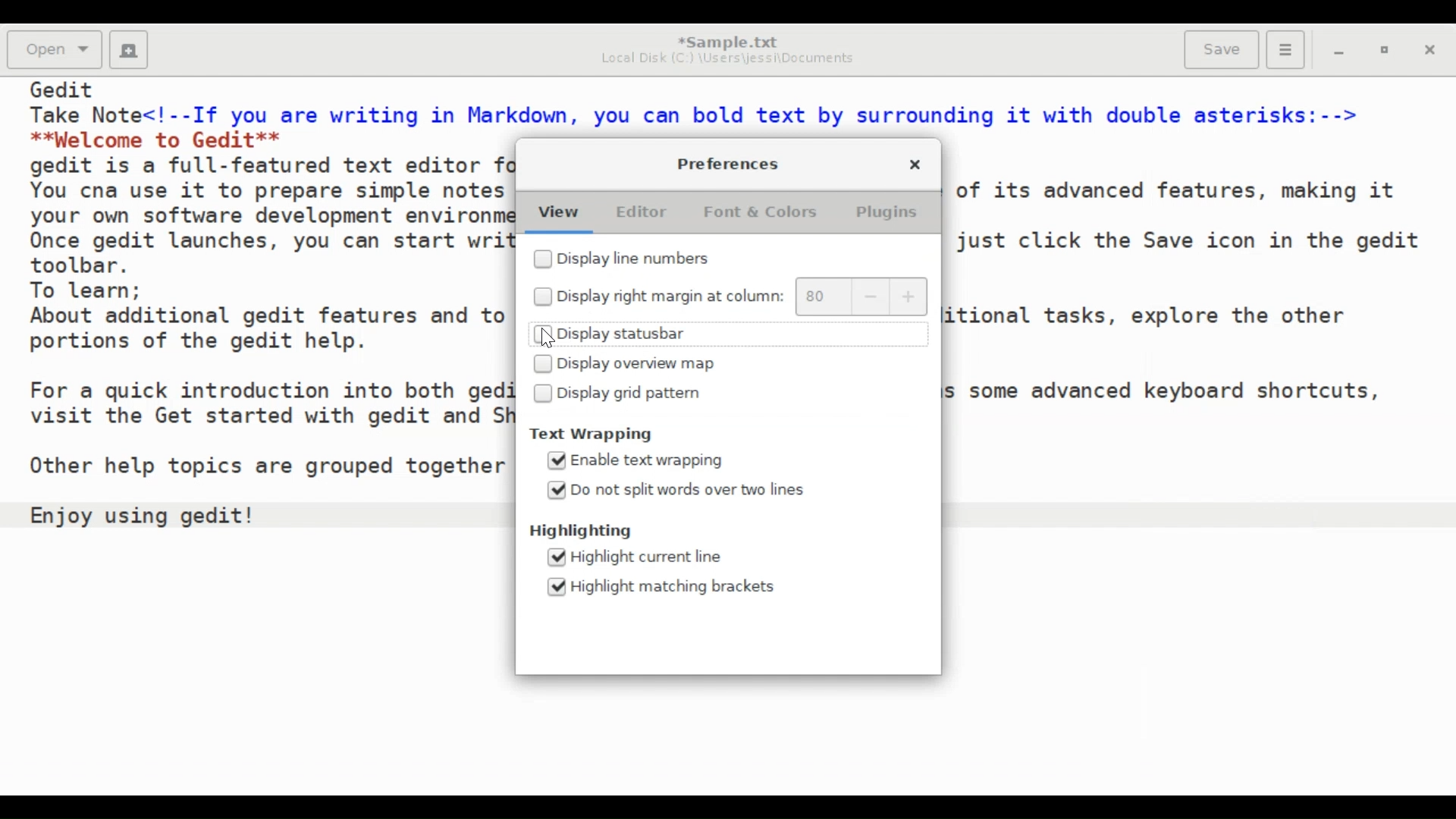 This screenshot has width=1456, height=819. What do you see at coordinates (762, 211) in the screenshot?
I see `Font & Colors` at bounding box center [762, 211].